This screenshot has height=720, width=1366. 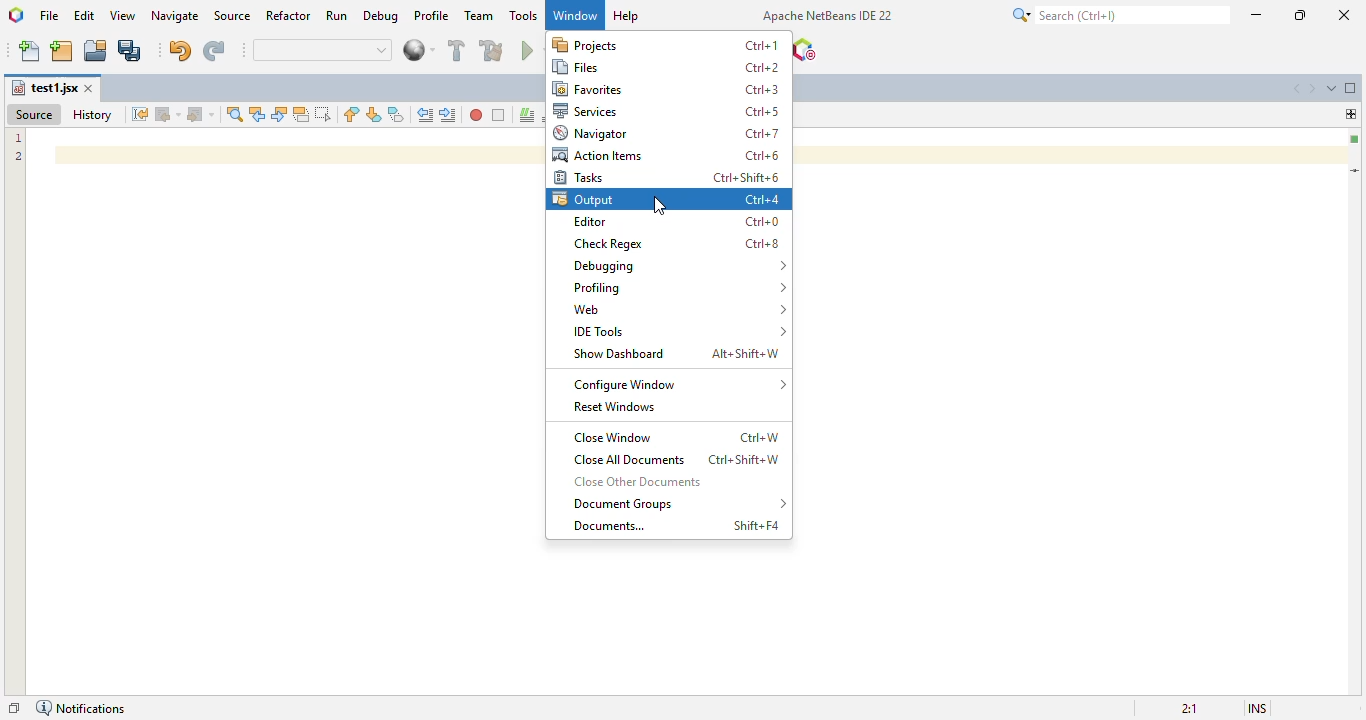 What do you see at coordinates (492, 49) in the screenshot?
I see `clean and build project` at bounding box center [492, 49].